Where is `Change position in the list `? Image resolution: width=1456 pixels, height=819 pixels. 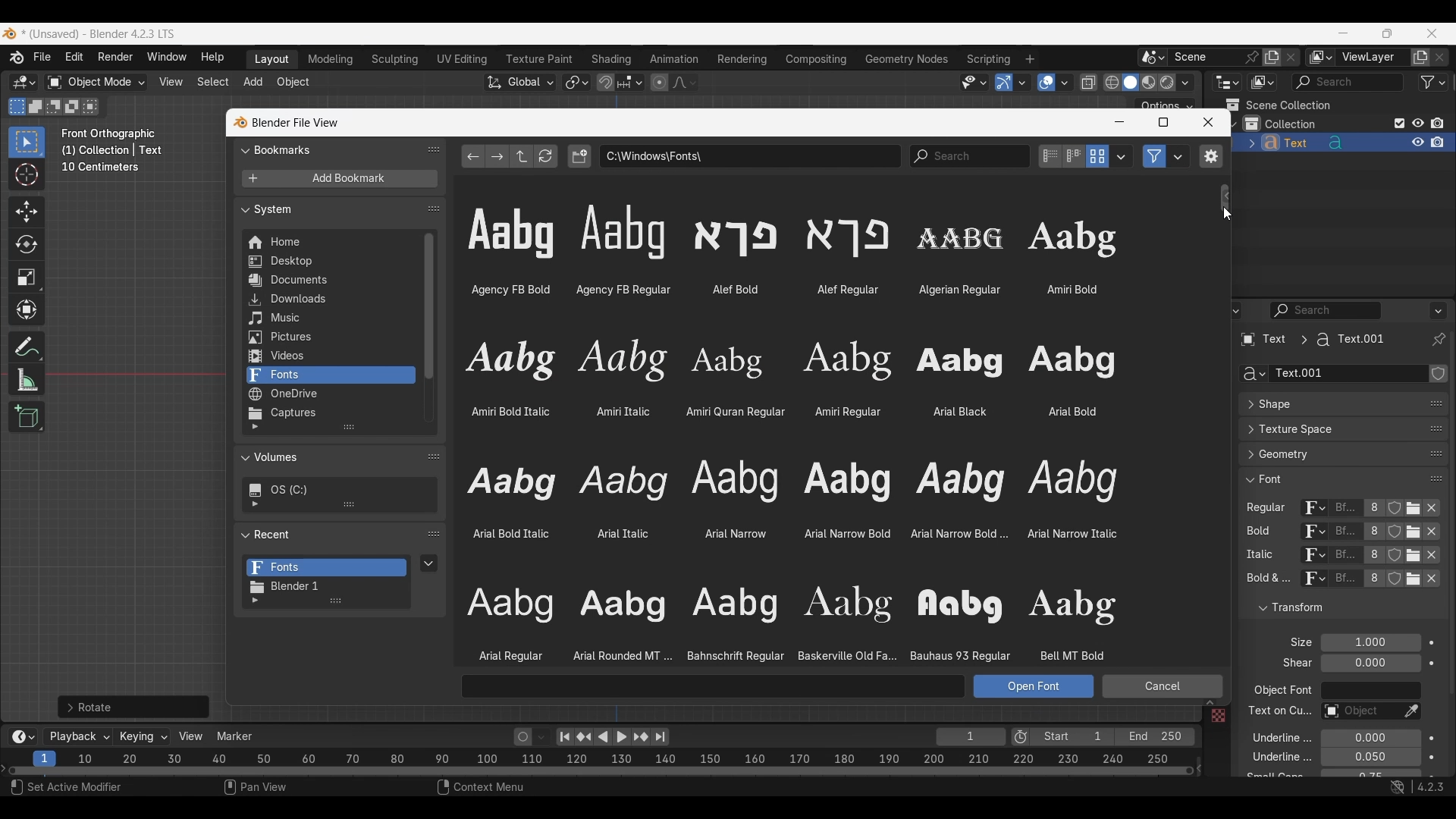
Change position in the list  is located at coordinates (1436, 475).